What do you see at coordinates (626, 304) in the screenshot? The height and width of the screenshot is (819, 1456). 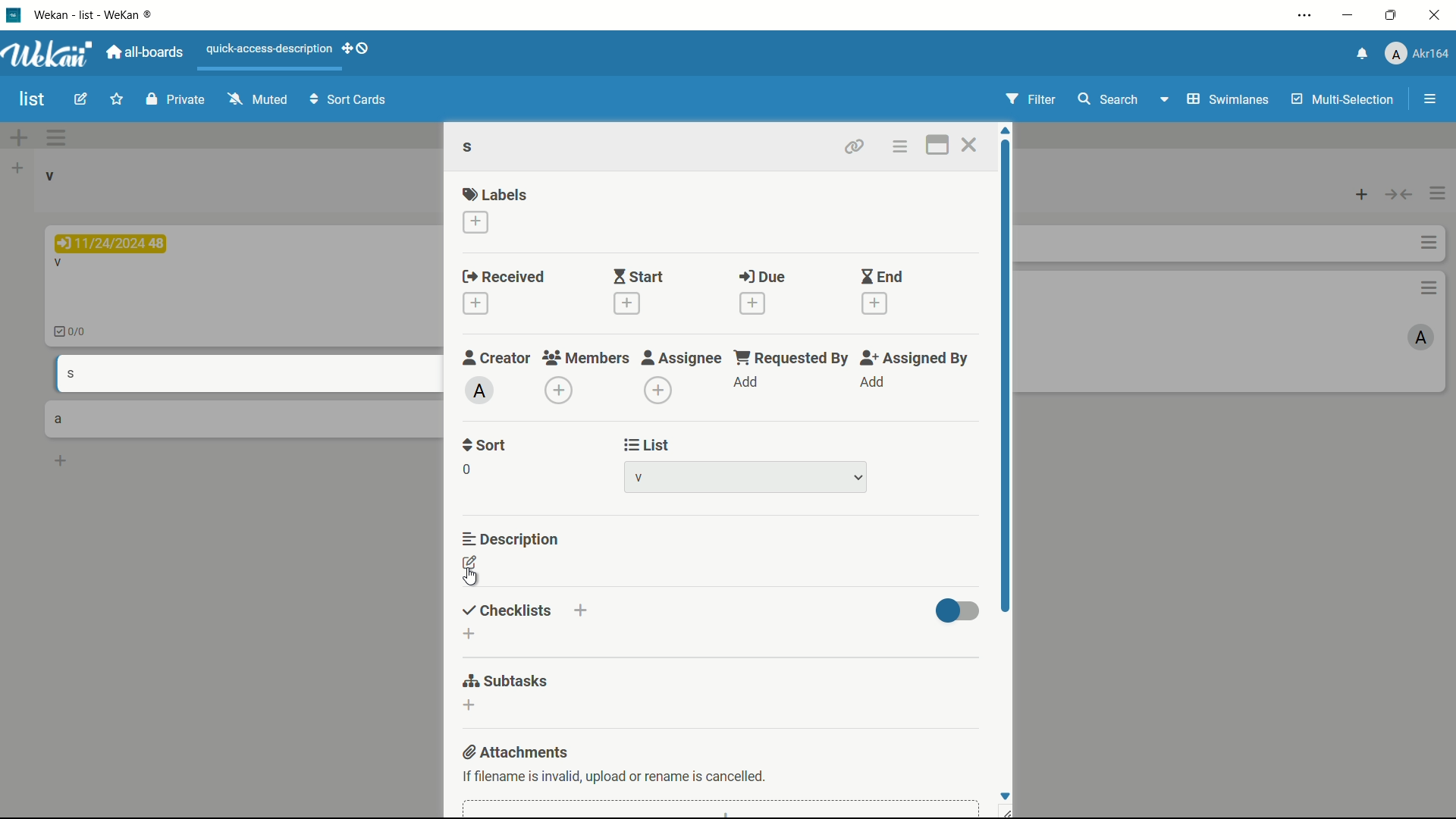 I see `add start date` at bounding box center [626, 304].